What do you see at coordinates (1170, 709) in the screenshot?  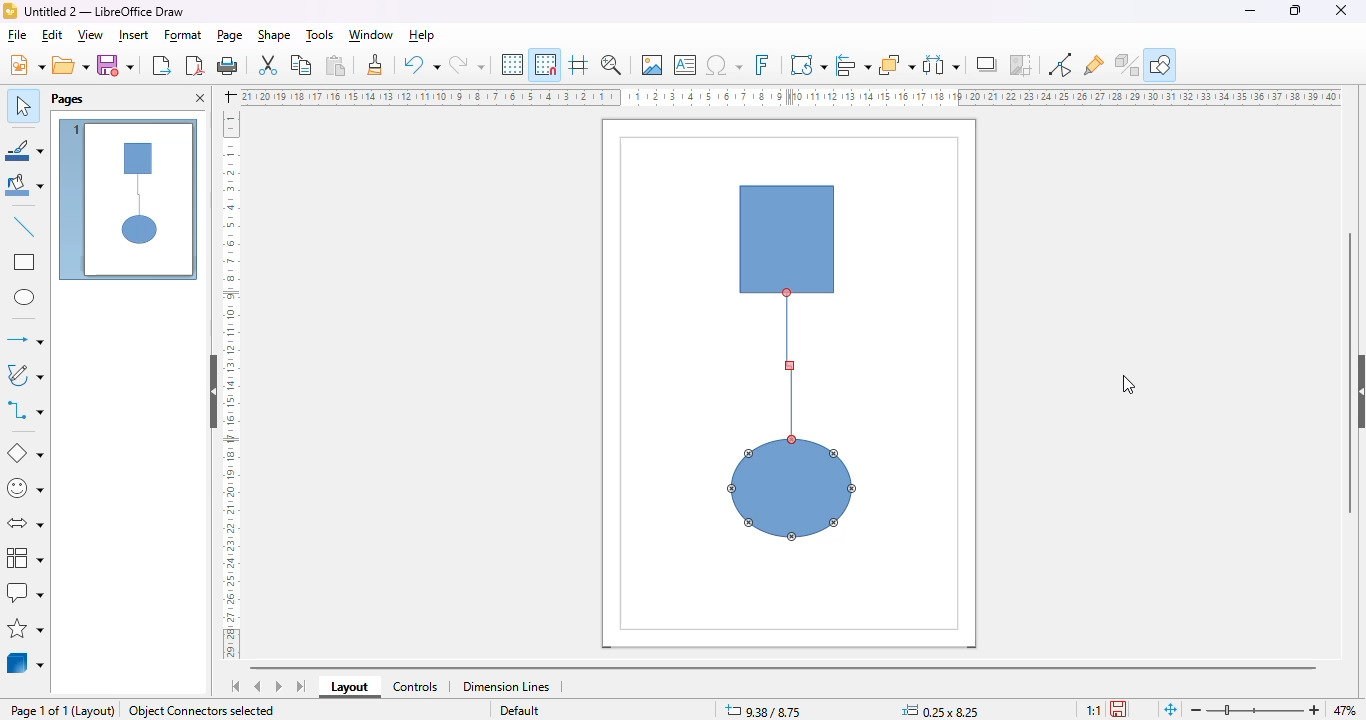 I see `fit page to current window` at bounding box center [1170, 709].